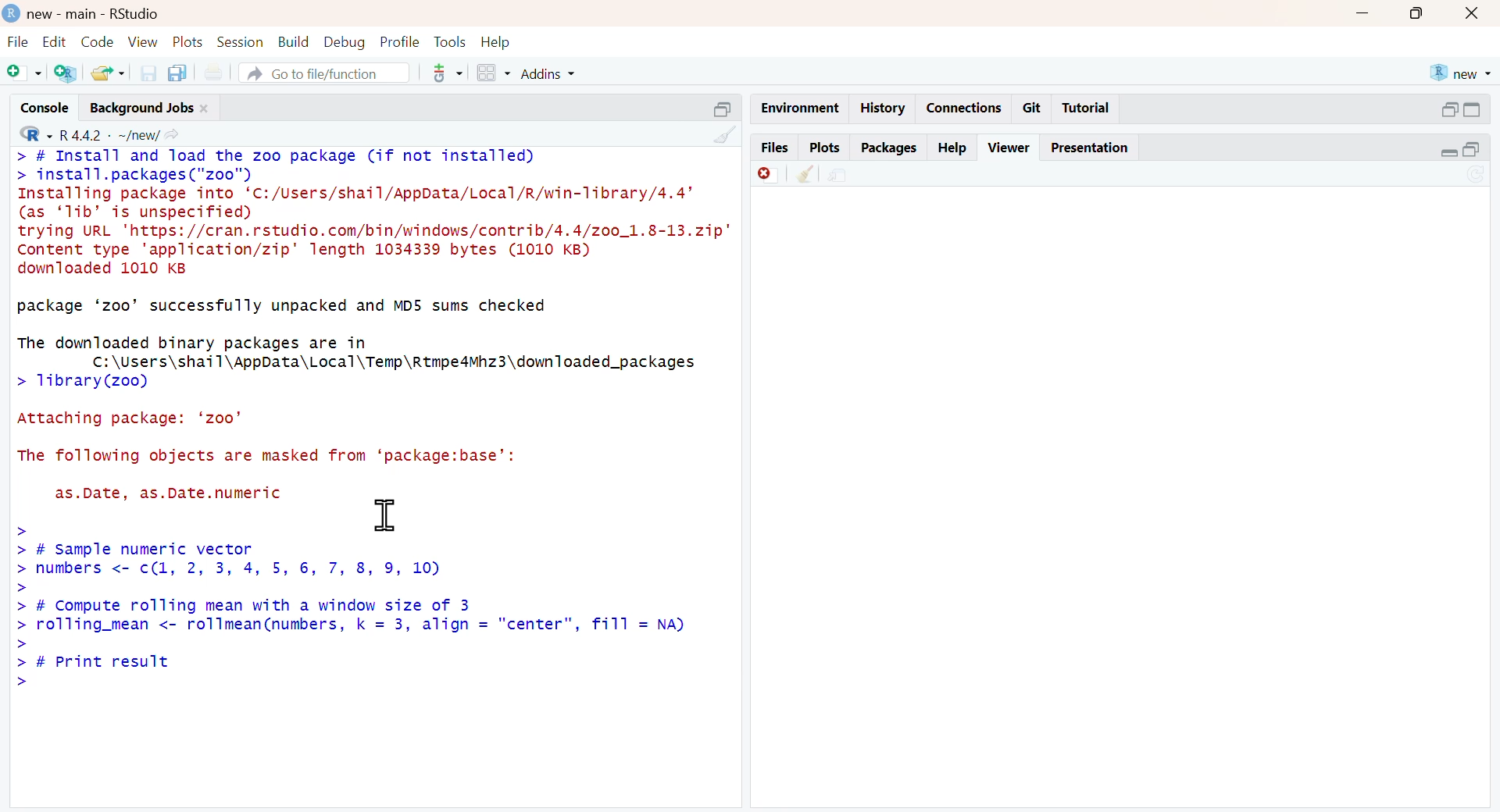  What do you see at coordinates (825, 148) in the screenshot?
I see `plots` at bounding box center [825, 148].